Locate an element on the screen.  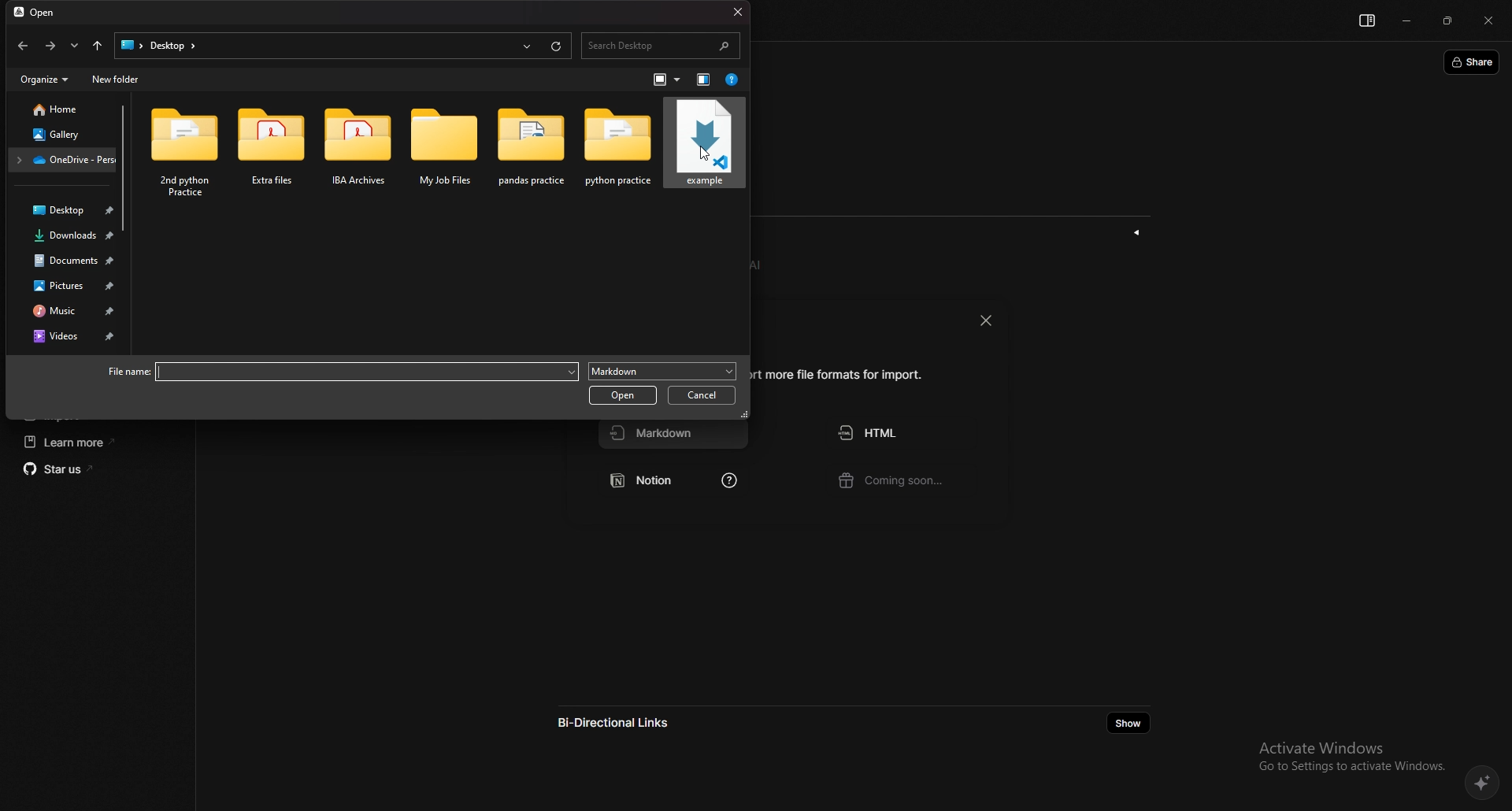
markdown is located at coordinates (662, 370).